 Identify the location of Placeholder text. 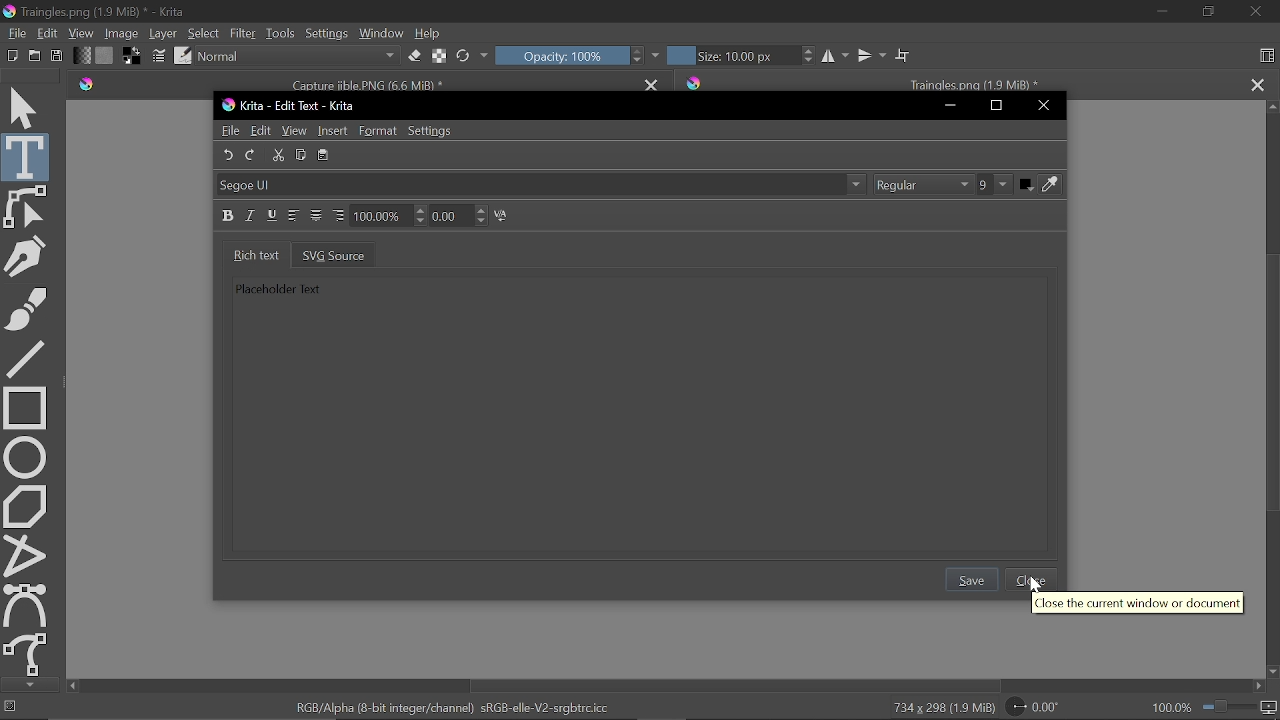
(275, 287).